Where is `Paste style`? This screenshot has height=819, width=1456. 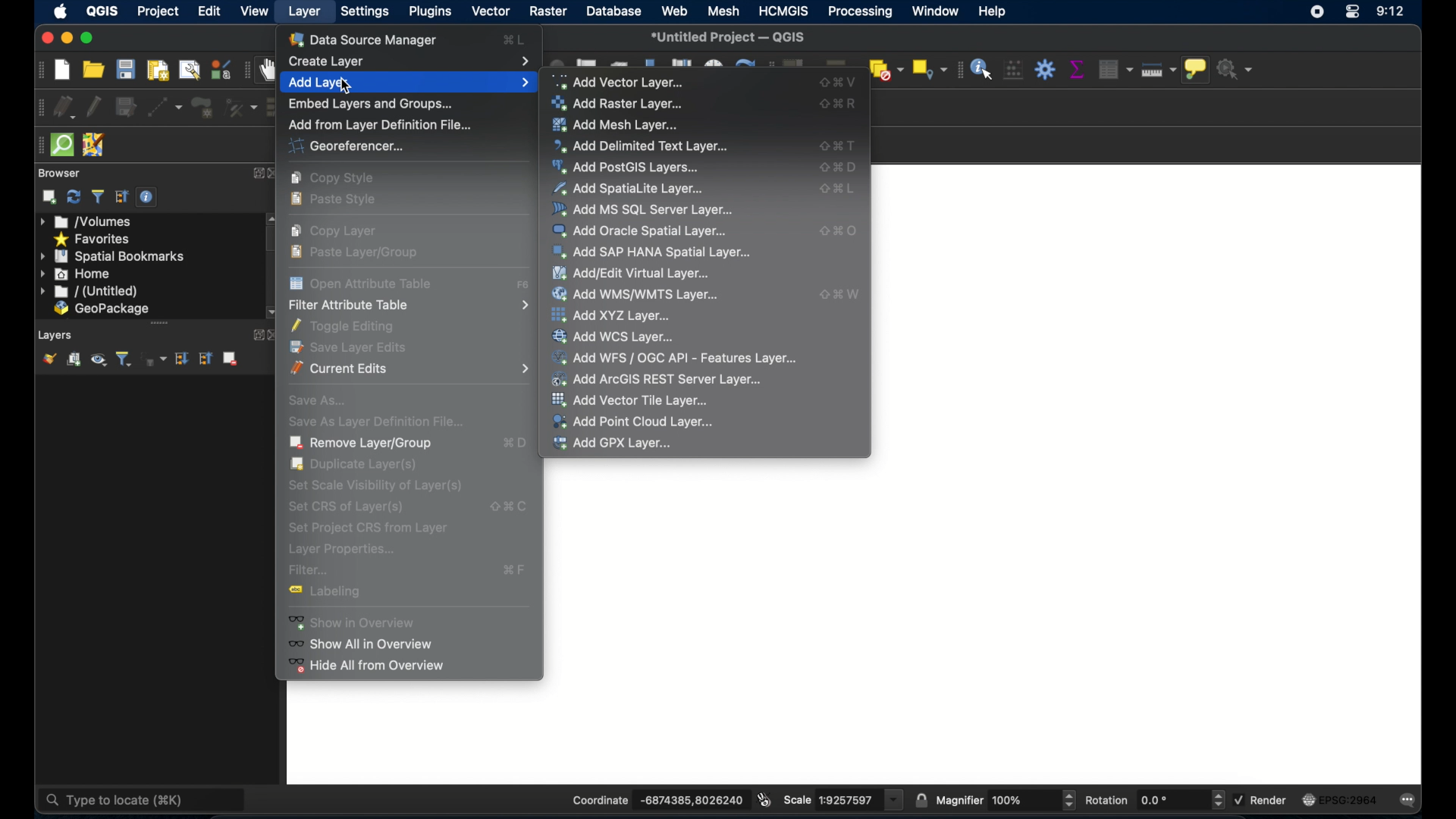 Paste style is located at coordinates (329, 203).